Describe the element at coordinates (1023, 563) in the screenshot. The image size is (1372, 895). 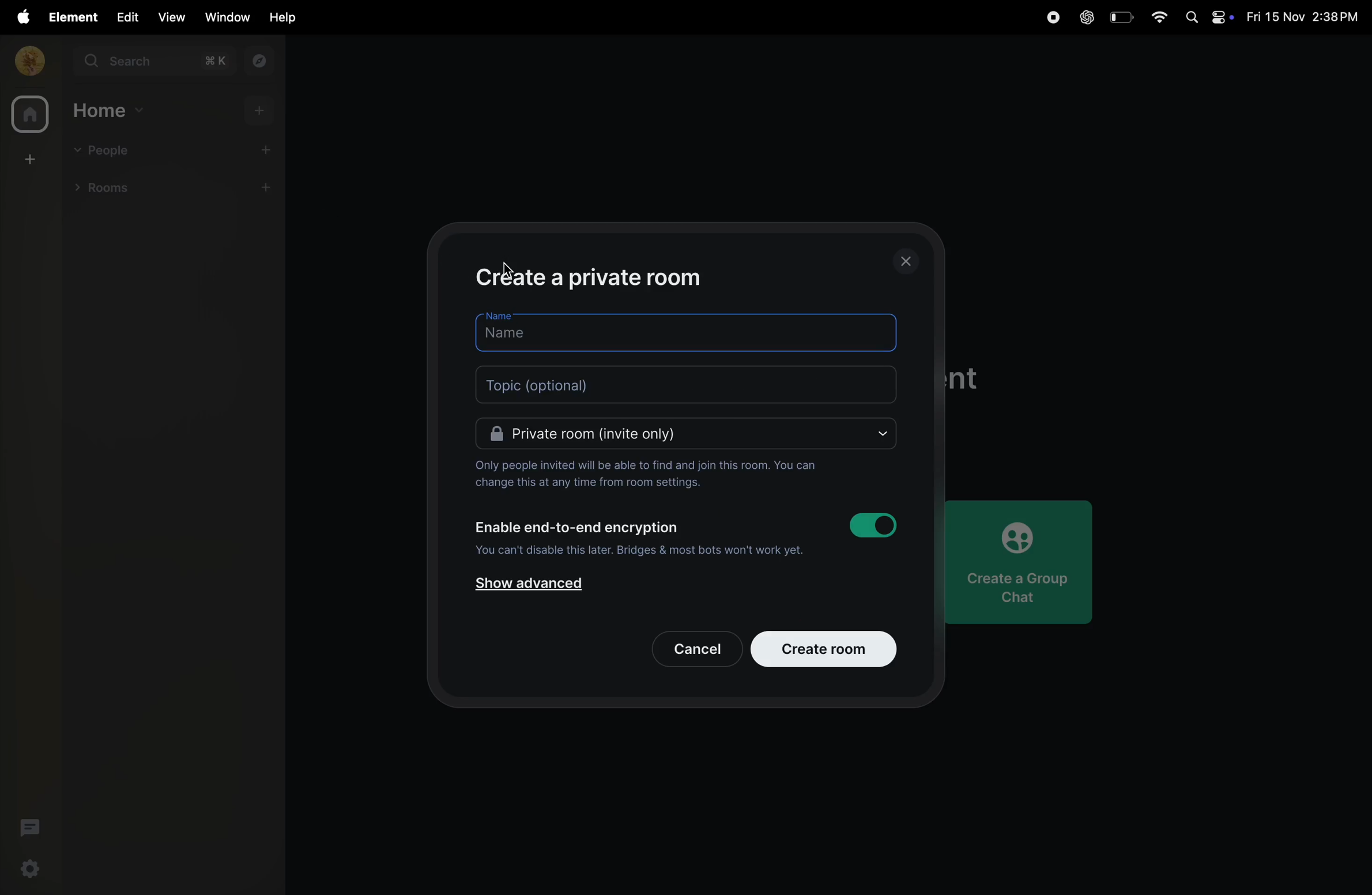
I see `create chat group` at that location.